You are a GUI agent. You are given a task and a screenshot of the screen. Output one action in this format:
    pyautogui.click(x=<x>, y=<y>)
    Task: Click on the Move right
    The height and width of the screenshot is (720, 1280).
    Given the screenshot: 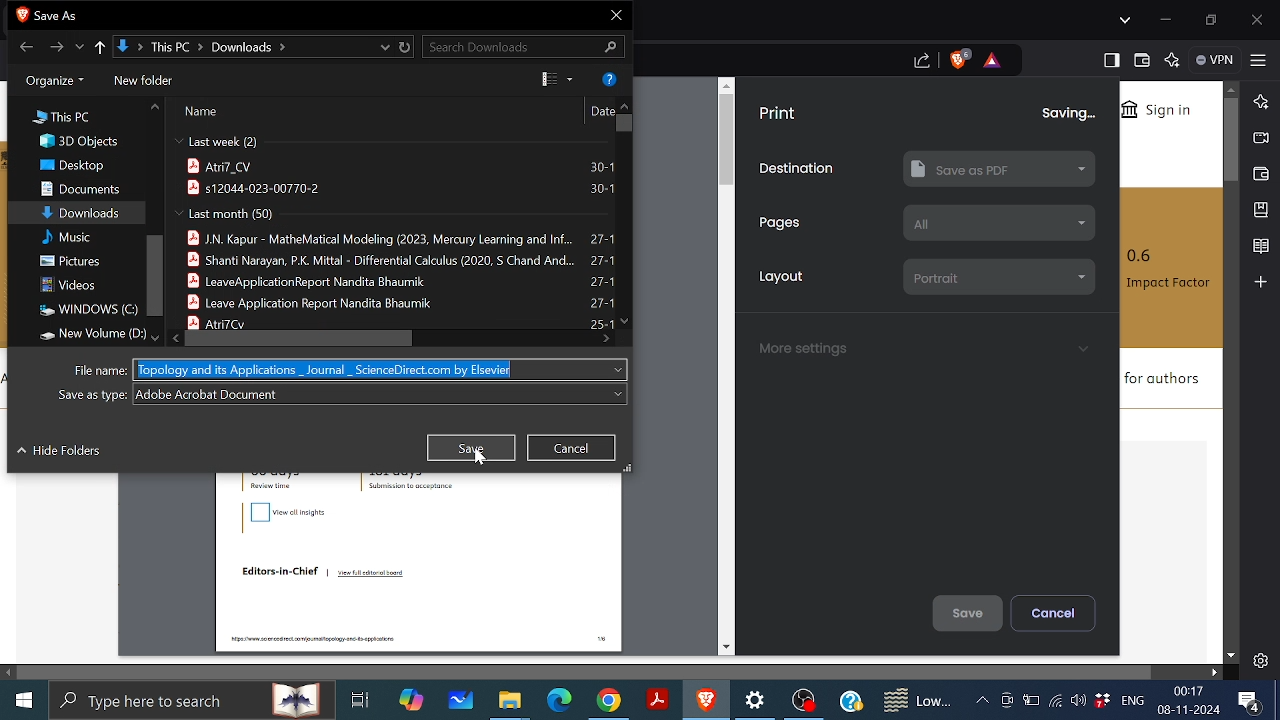 What is the action you would take?
    pyautogui.click(x=606, y=339)
    